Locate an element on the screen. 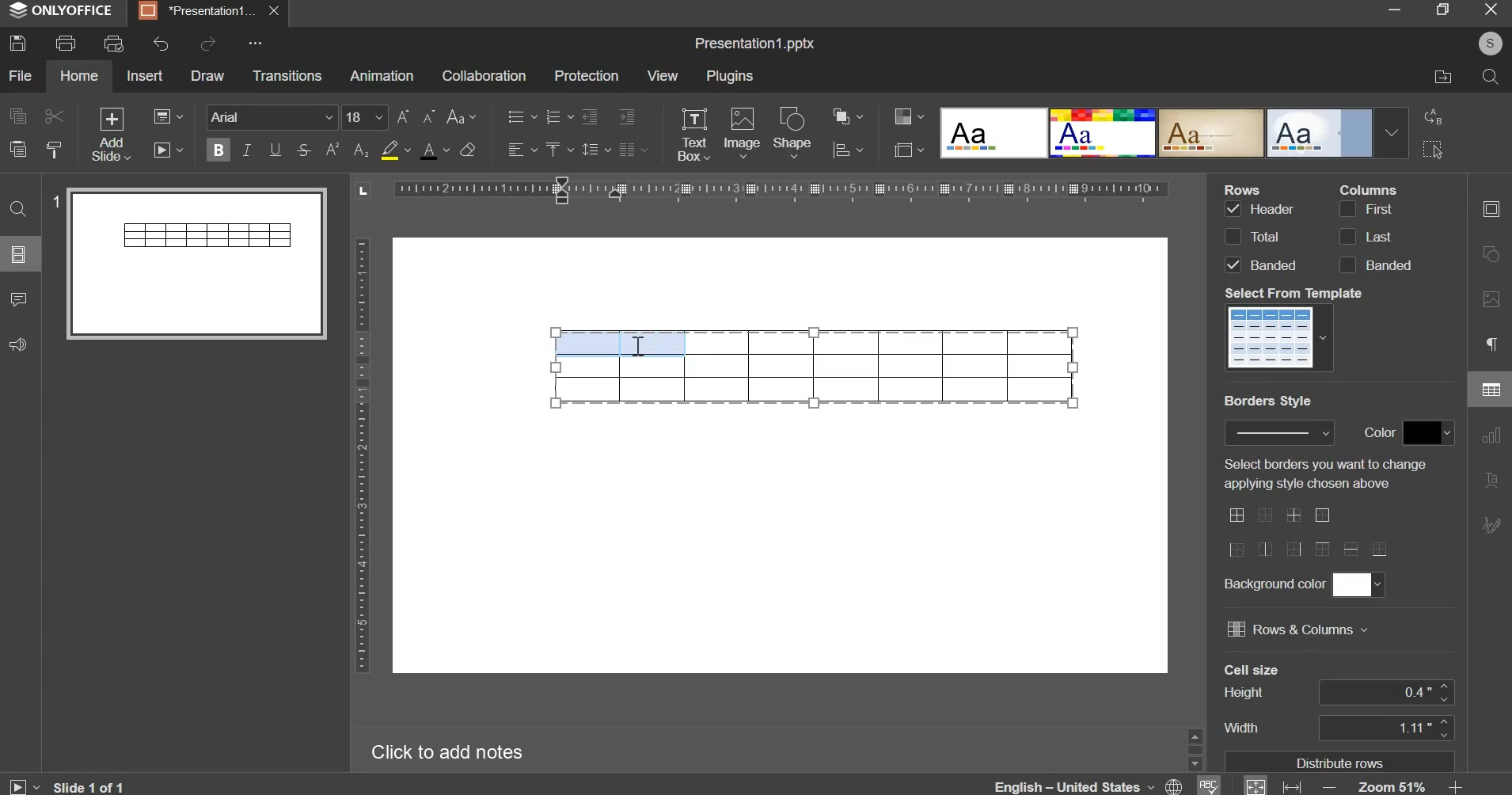  template is located at coordinates (1282, 337).